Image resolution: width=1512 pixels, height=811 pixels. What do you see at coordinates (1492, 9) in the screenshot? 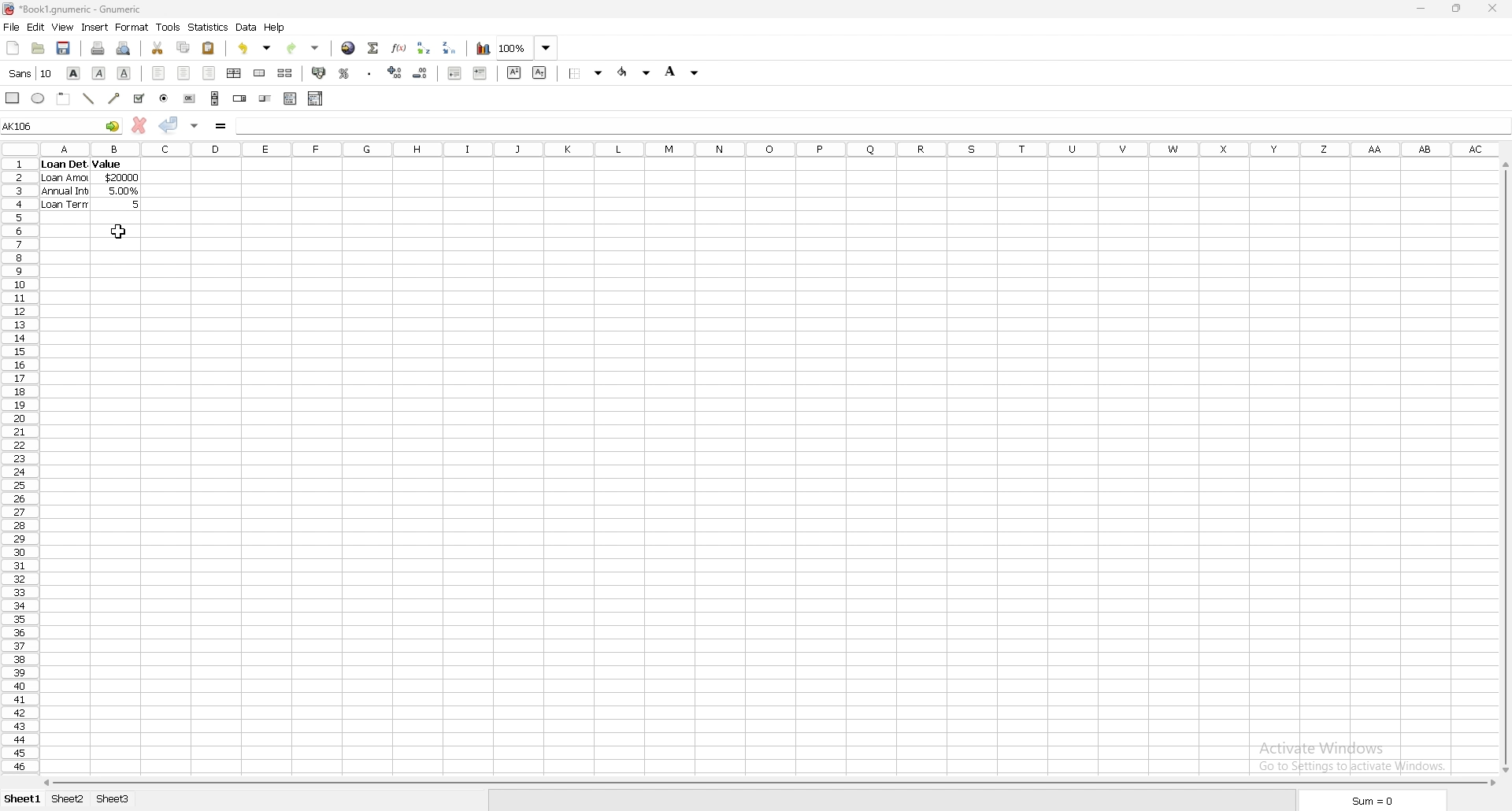
I see `close` at bounding box center [1492, 9].